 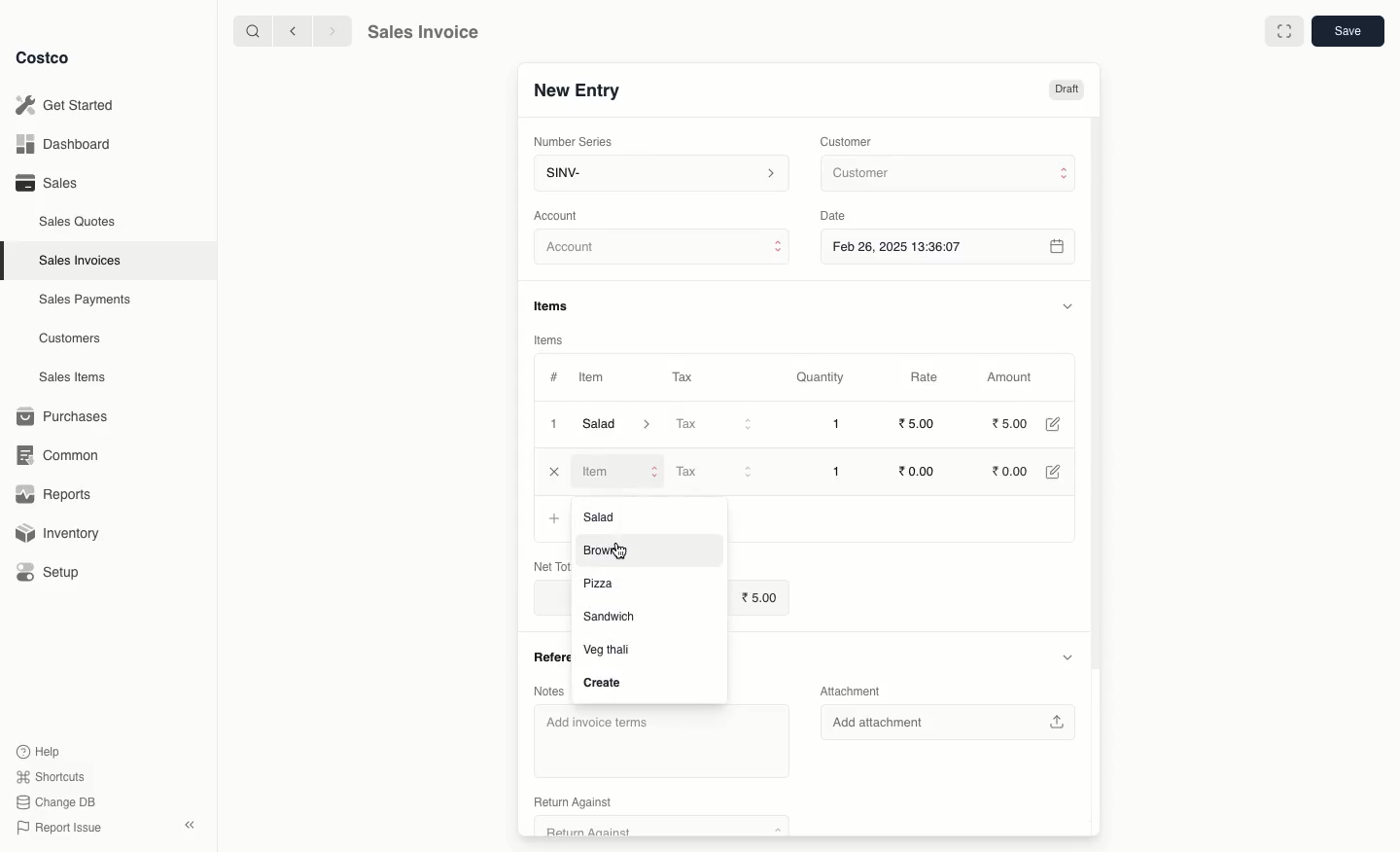 What do you see at coordinates (714, 425) in the screenshot?
I see `Tax` at bounding box center [714, 425].